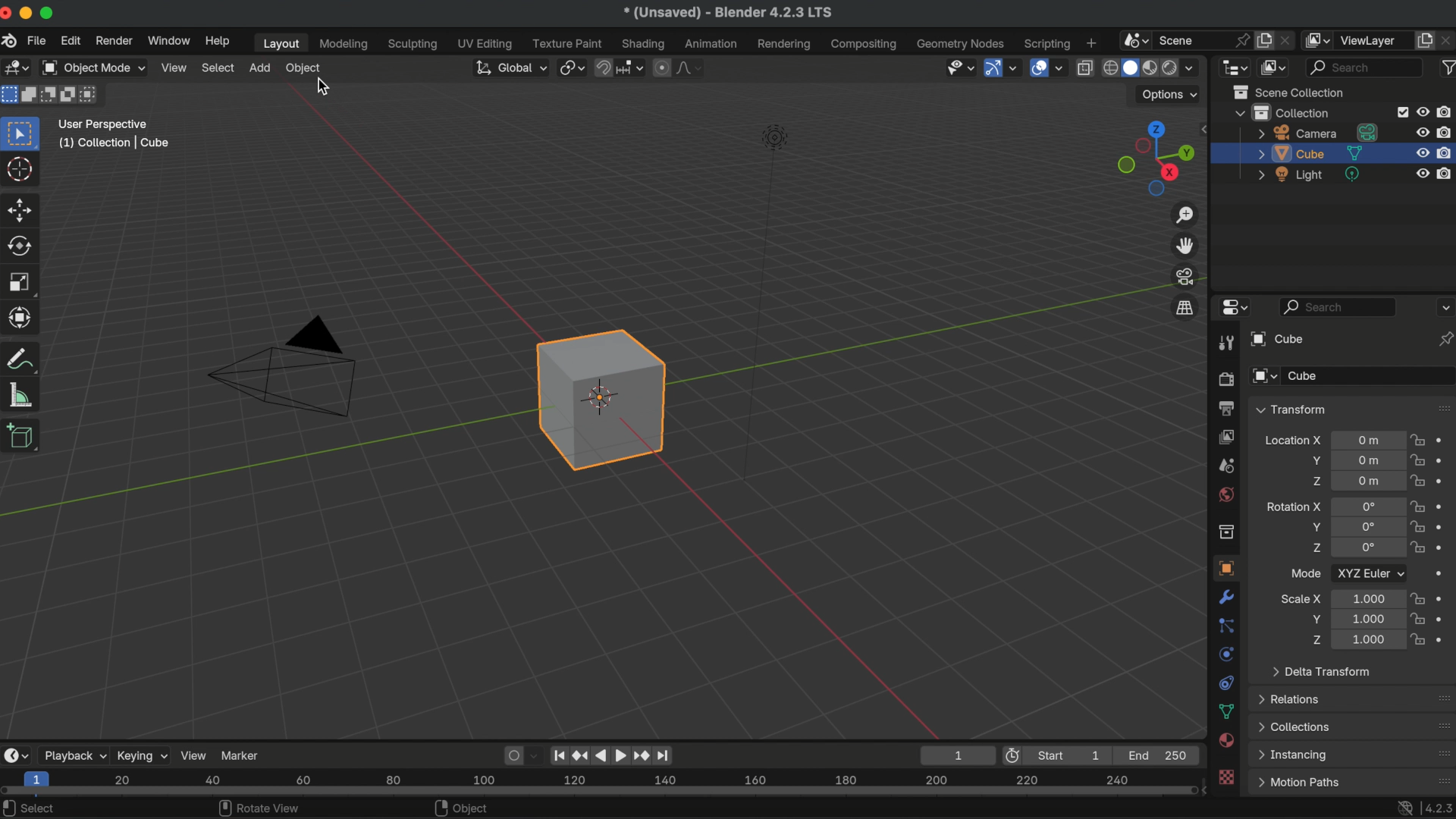 Image resolution: width=1456 pixels, height=819 pixels. What do you see at coordinates (1225, 654) in the screenshot?
I see `physics` at bounding box center [1225, 654].